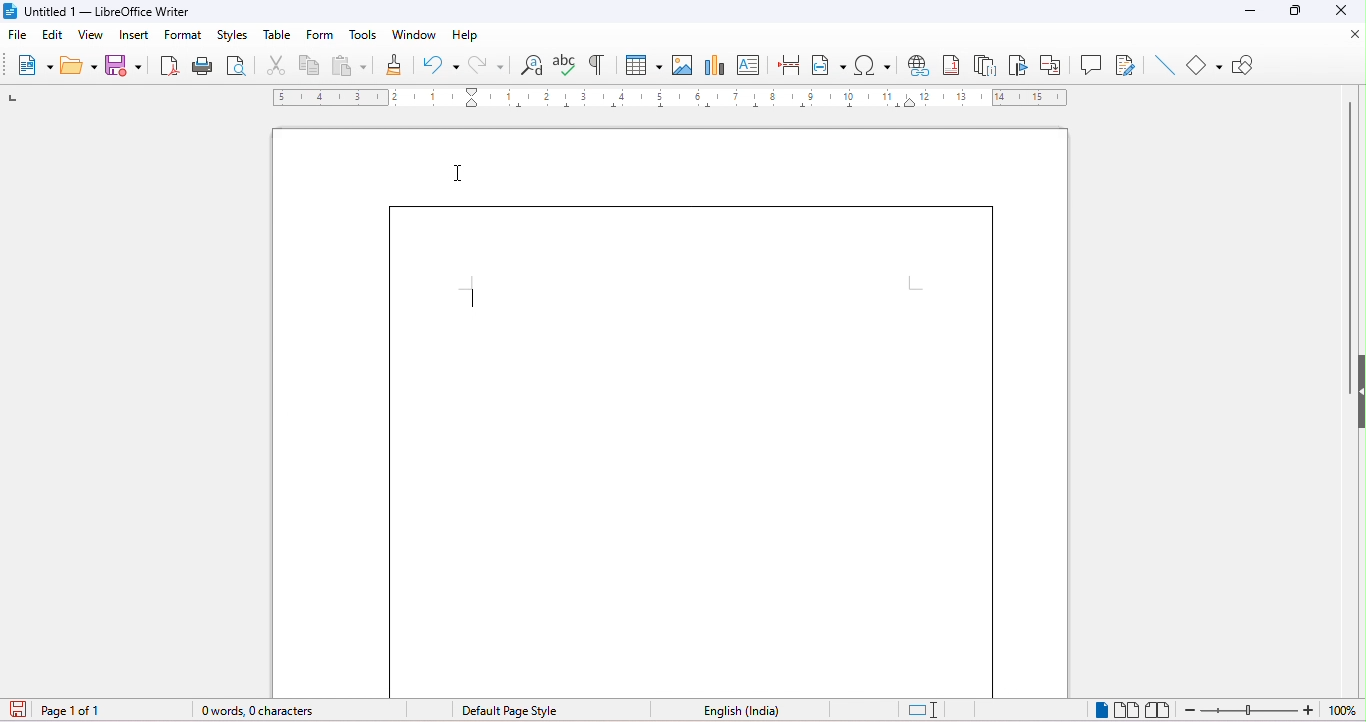 The width and height of the screenshot is (1366, 722). Describe the element at coordinates (532, 61) in the screenshot. I see `find and replace` at that location.